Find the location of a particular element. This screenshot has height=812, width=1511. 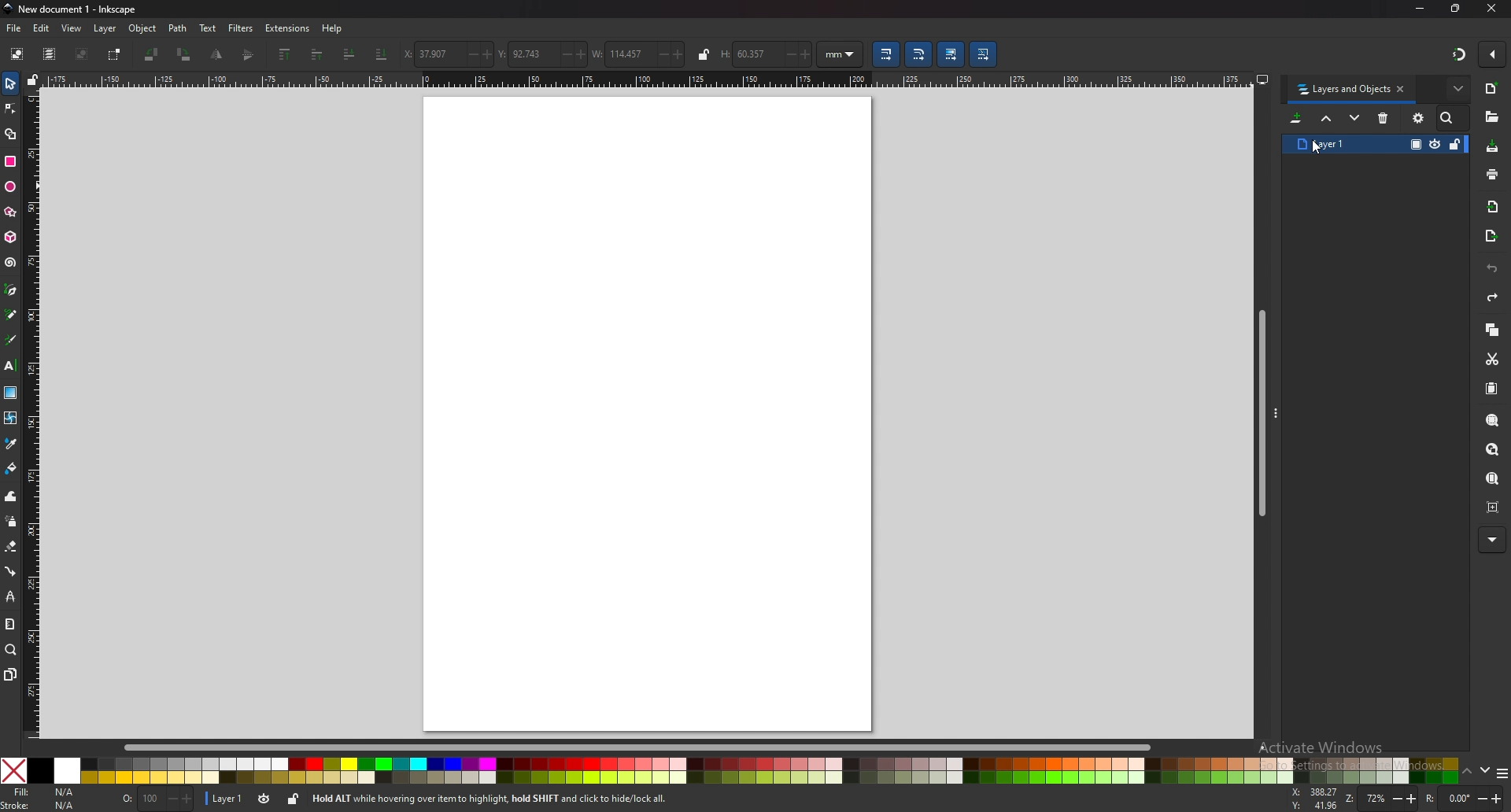

layer is located at coordinates (224, 798).